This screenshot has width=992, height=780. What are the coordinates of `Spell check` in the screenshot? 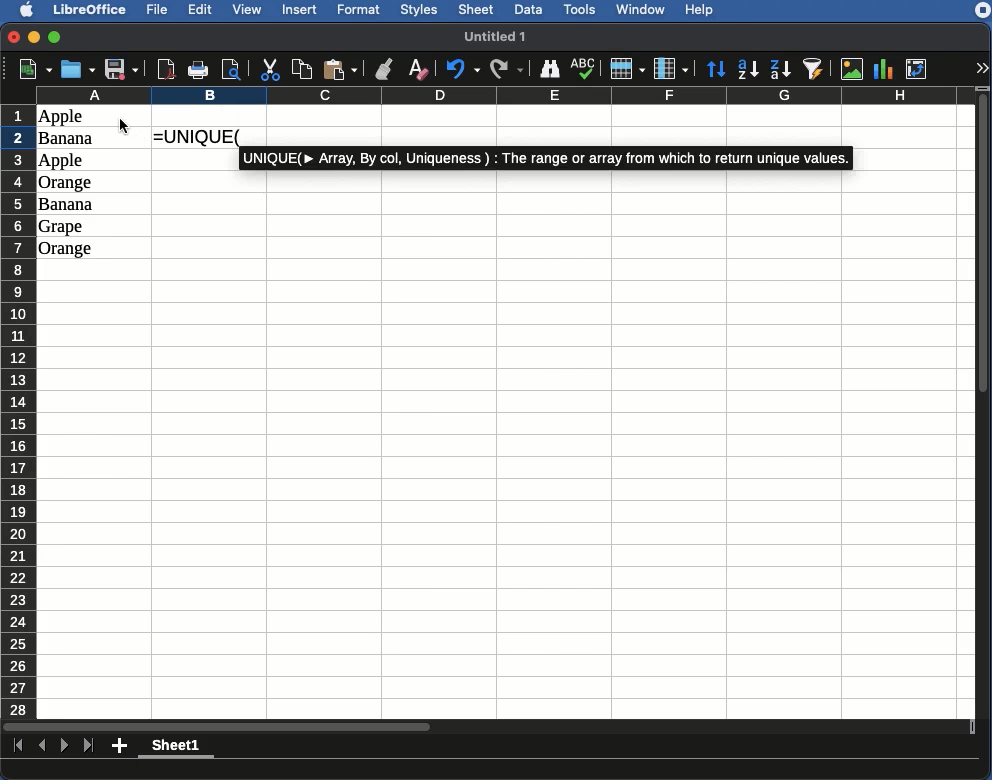 It's located at (583, 69).